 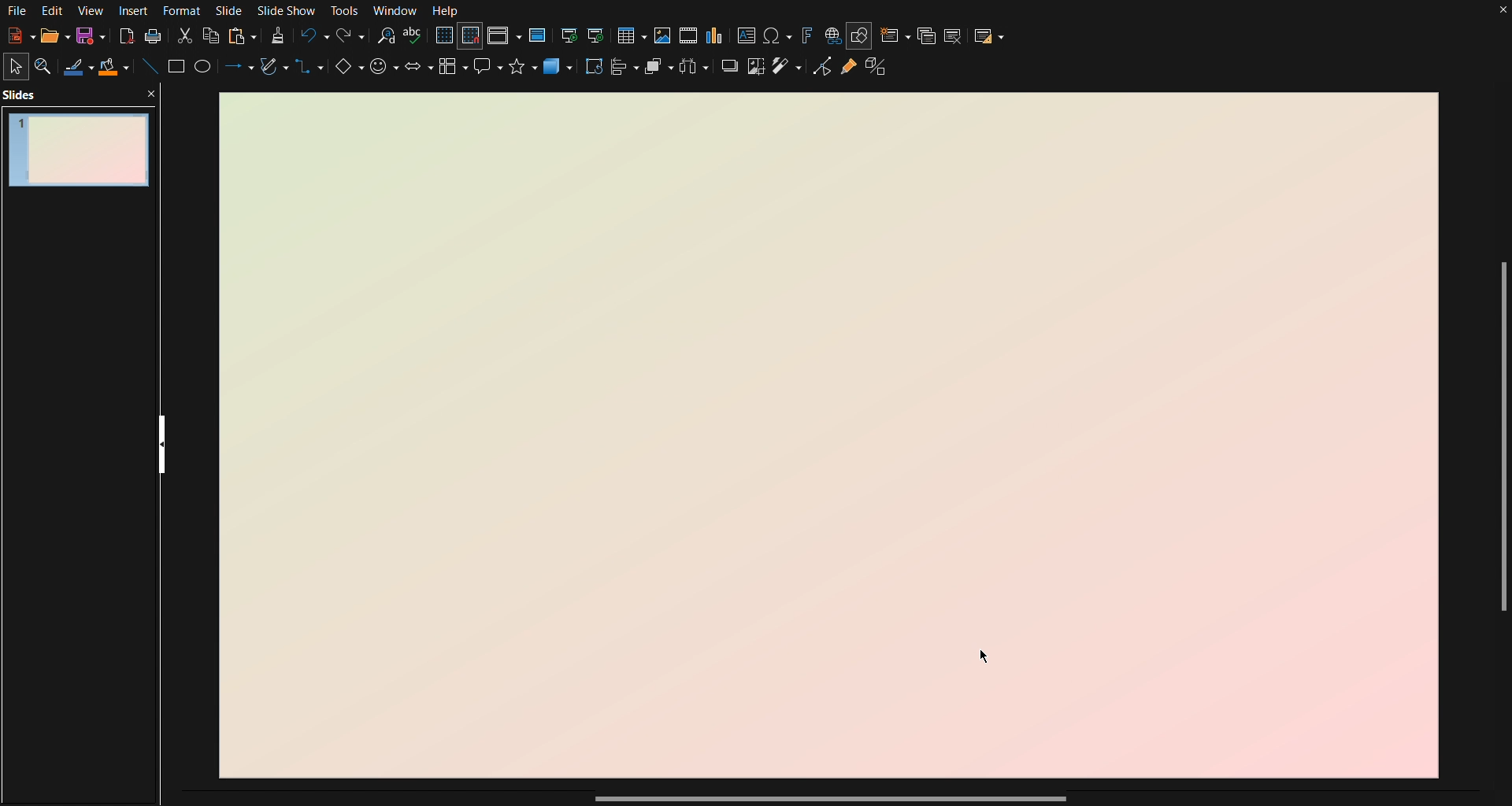 What do you see at coordinates (124, 36) in the screenshot?
I see `Export PDF` at bounding box center [124, 36].